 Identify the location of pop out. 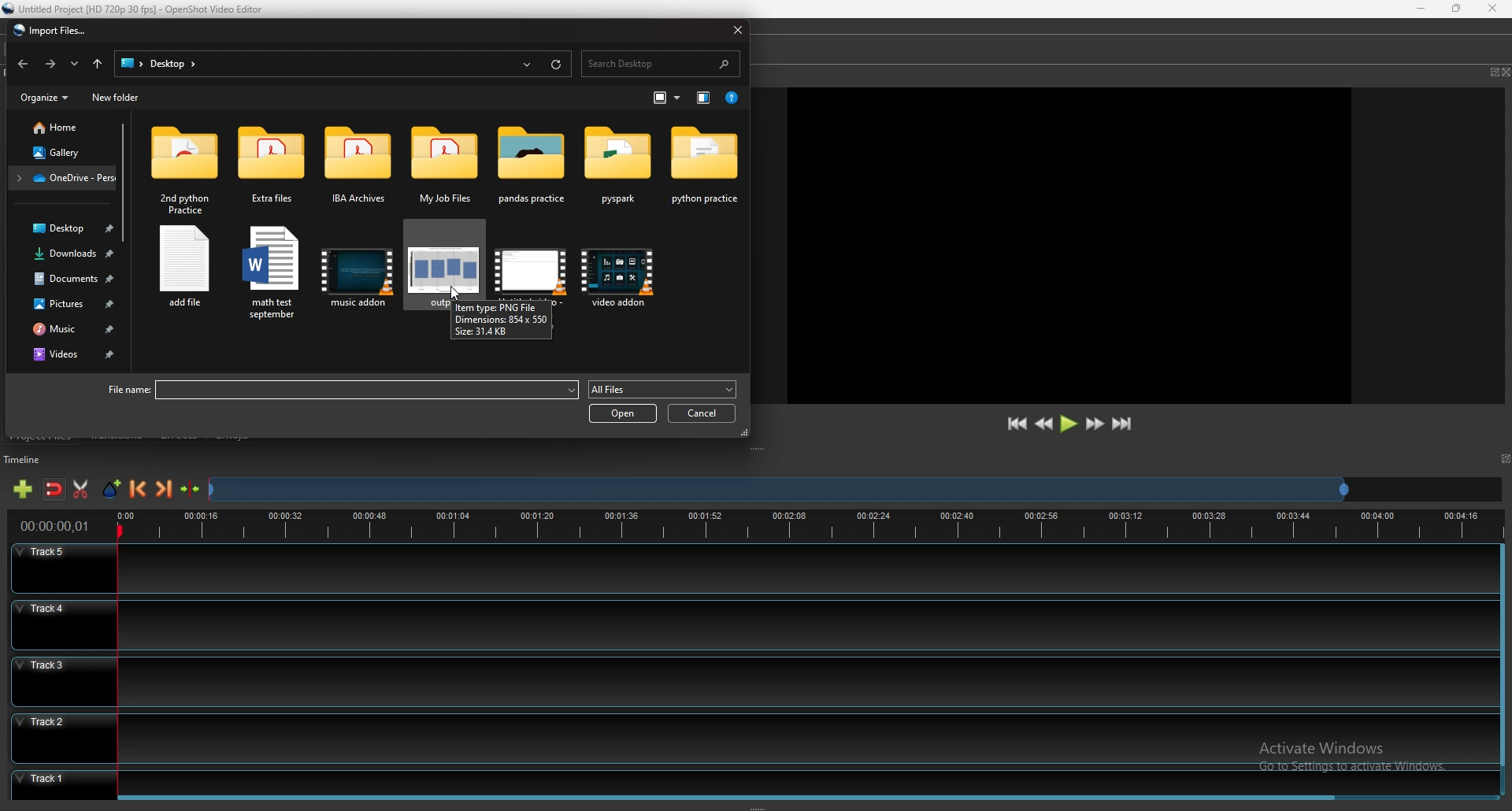
(1492, 72).